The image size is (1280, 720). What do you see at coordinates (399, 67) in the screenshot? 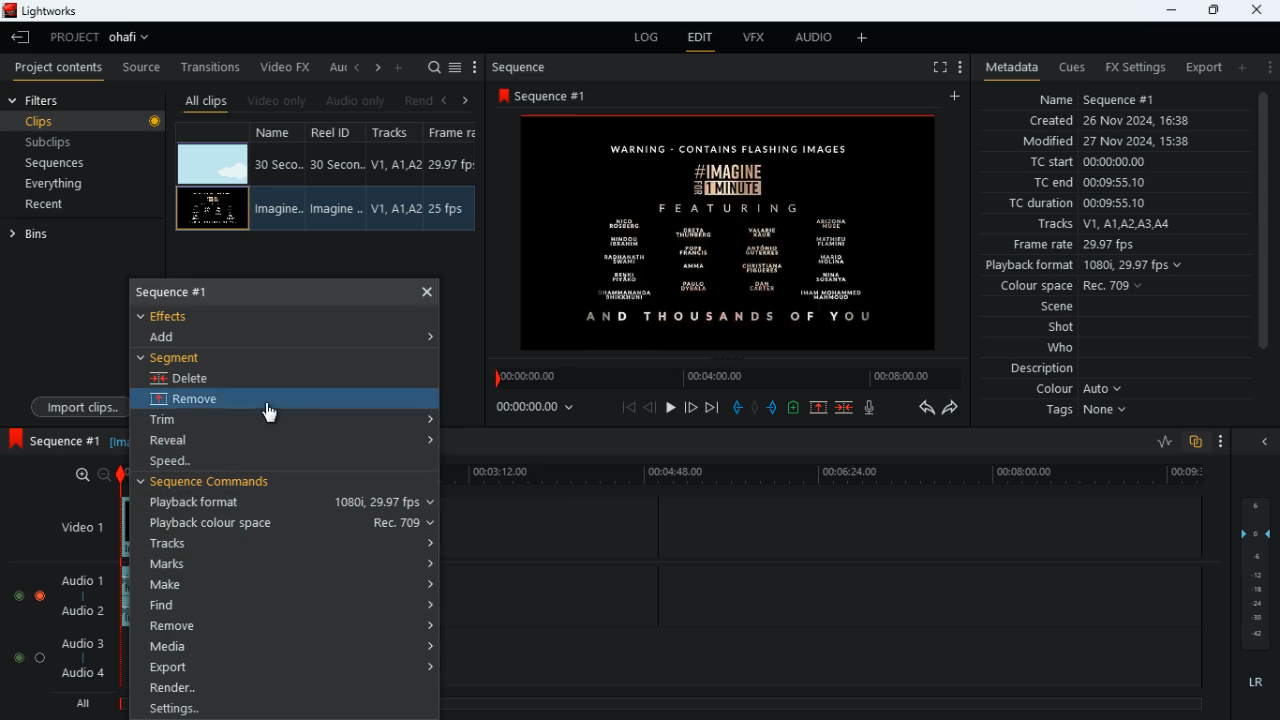
I see `more` at bounding box center [399, 67].